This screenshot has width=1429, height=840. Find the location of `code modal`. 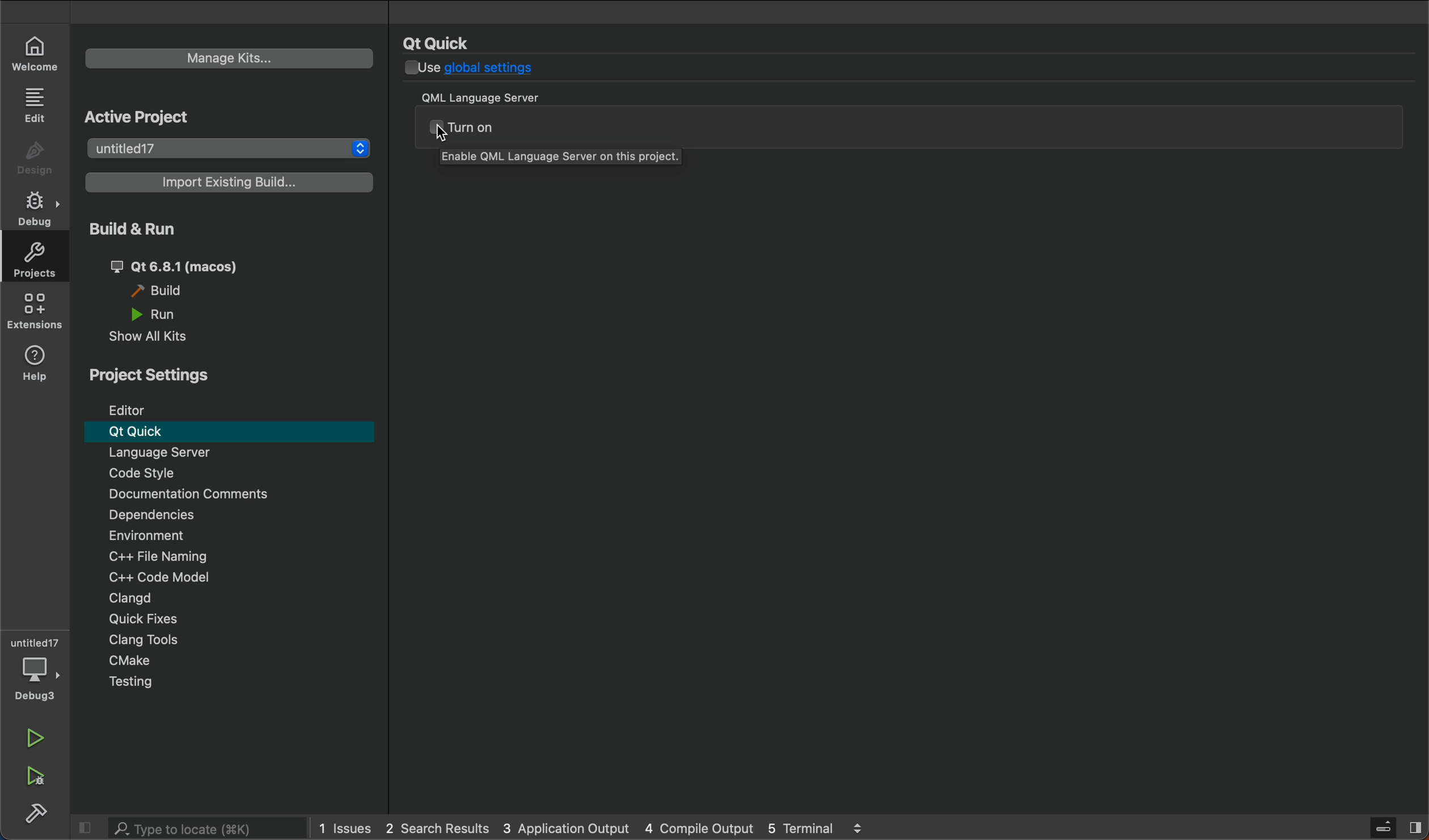

code modal is located at coordinates (236, 578).